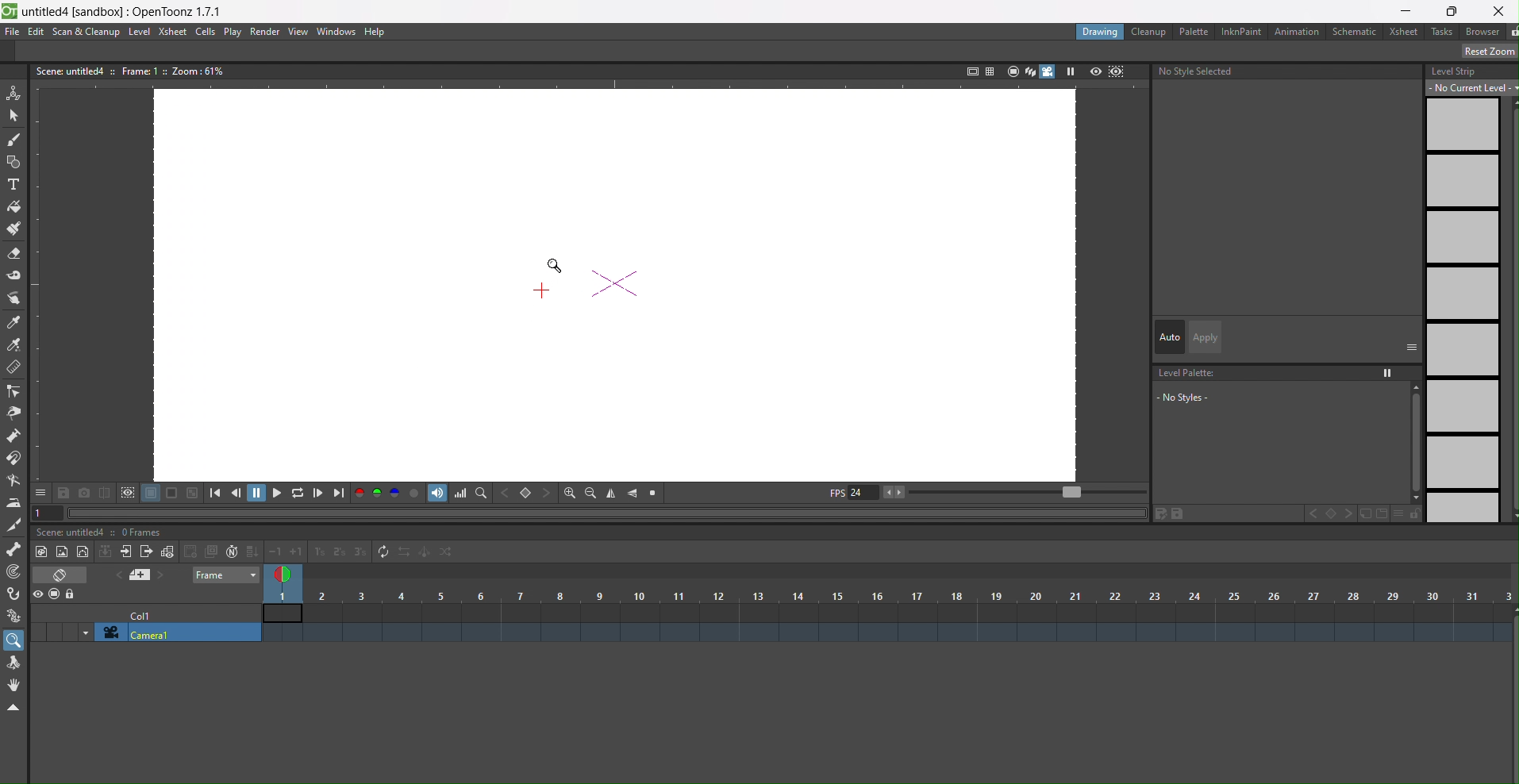 This screenshot has height=784, width=1519. I want to click on apply, so click(1203, 336).